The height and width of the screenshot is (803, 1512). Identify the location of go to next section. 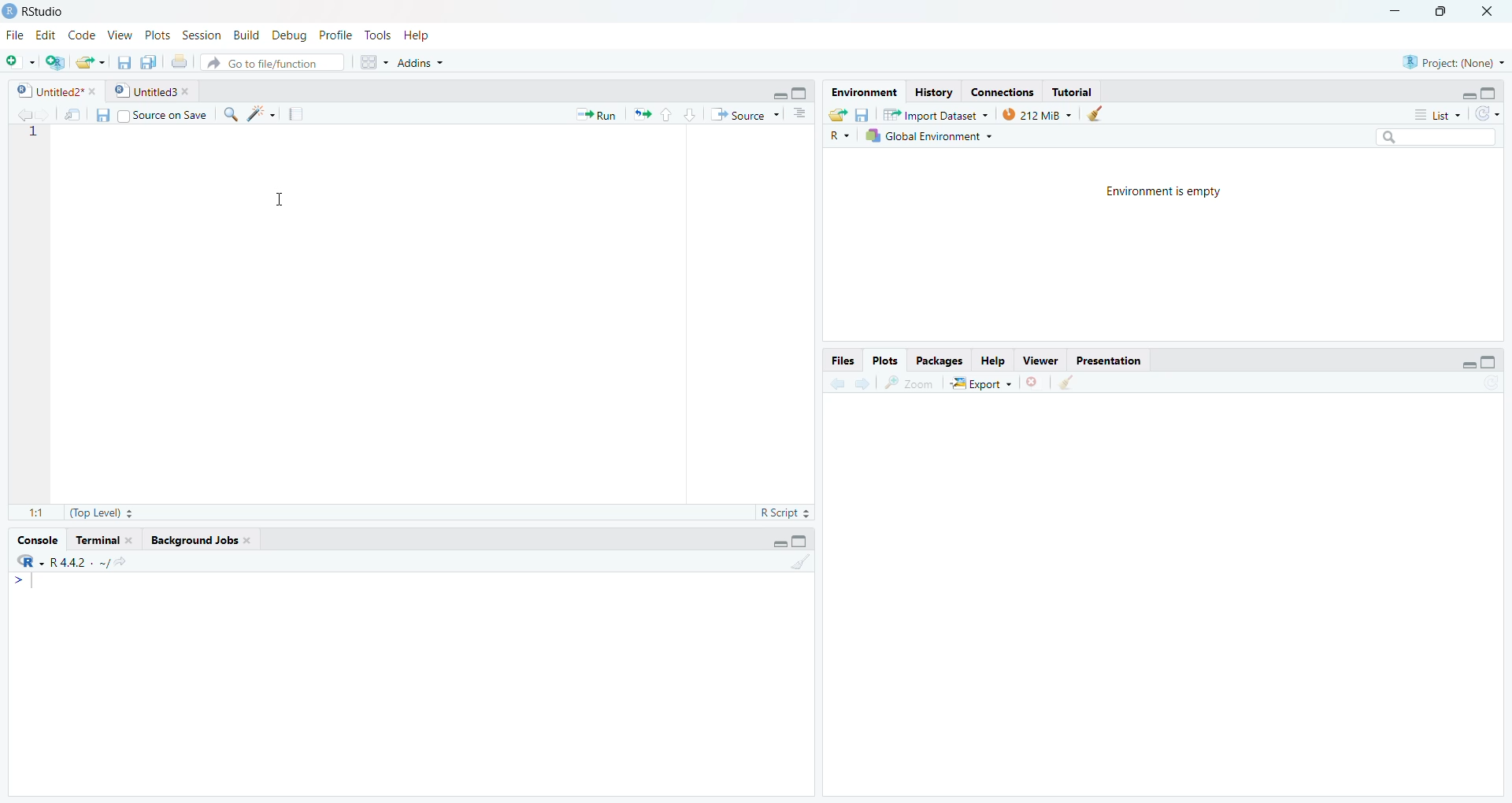
(691, 117).